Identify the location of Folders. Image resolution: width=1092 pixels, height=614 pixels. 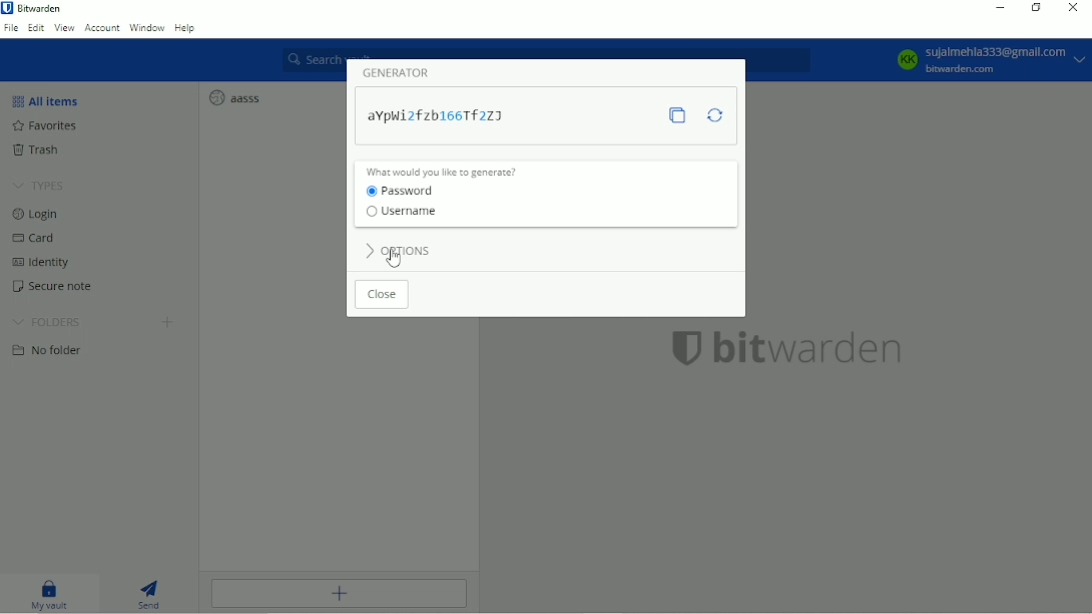
(50, 322).